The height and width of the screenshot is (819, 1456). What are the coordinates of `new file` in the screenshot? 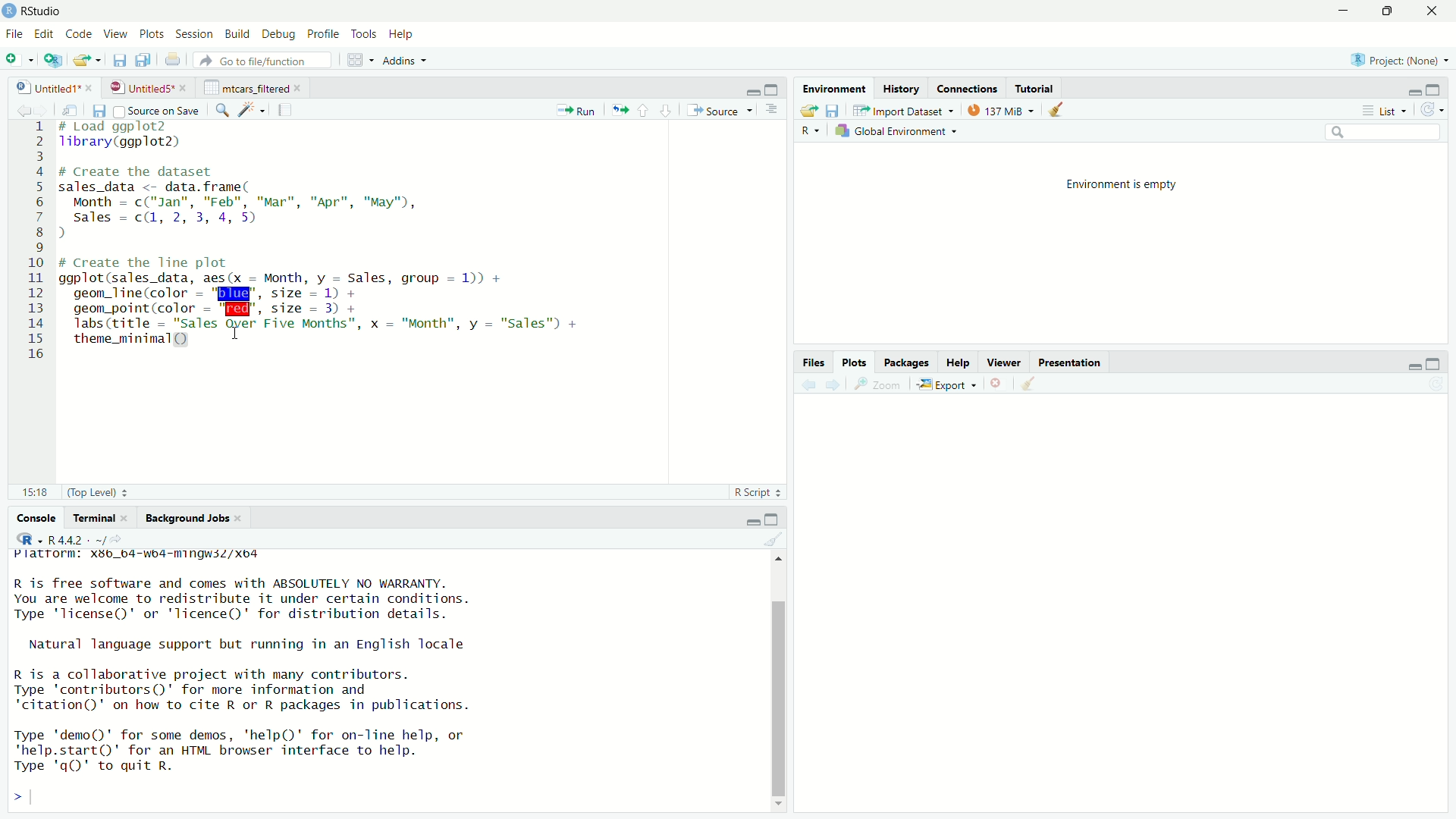 It's located at (16, 60).